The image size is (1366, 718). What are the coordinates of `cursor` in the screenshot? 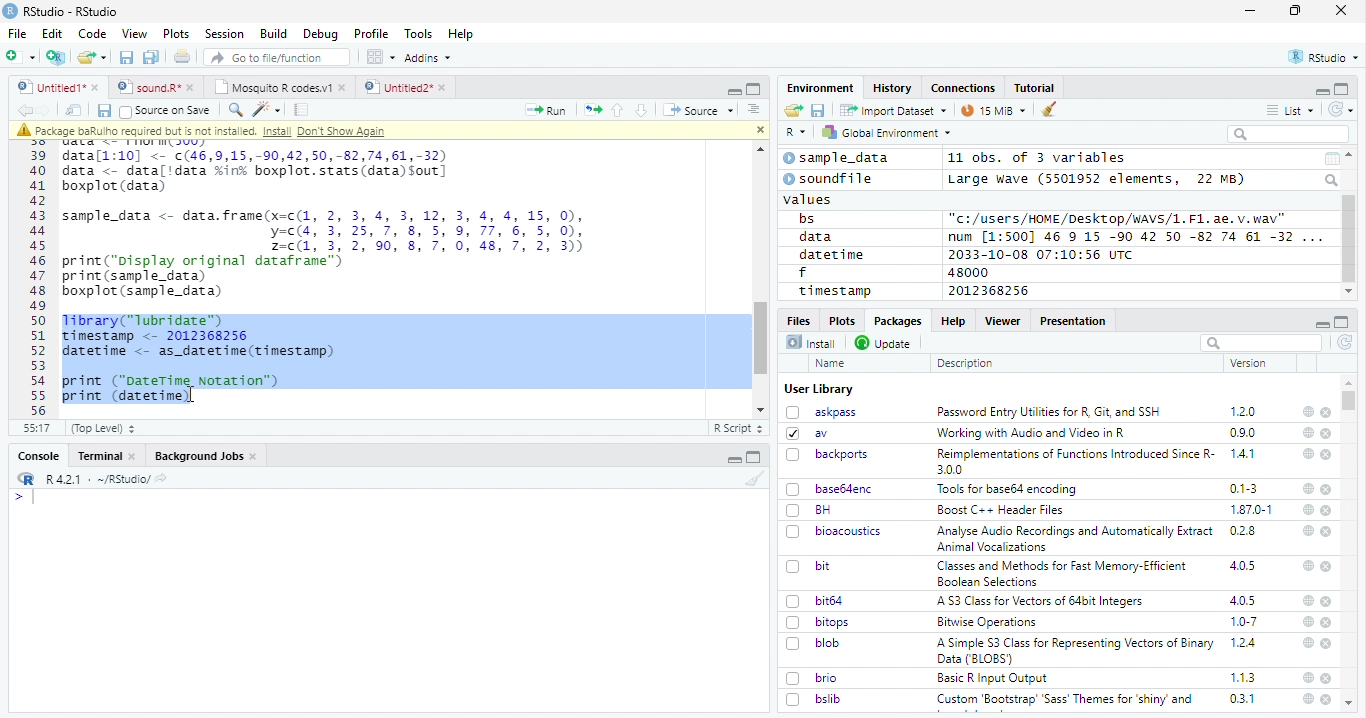 It's located at (195, 398).